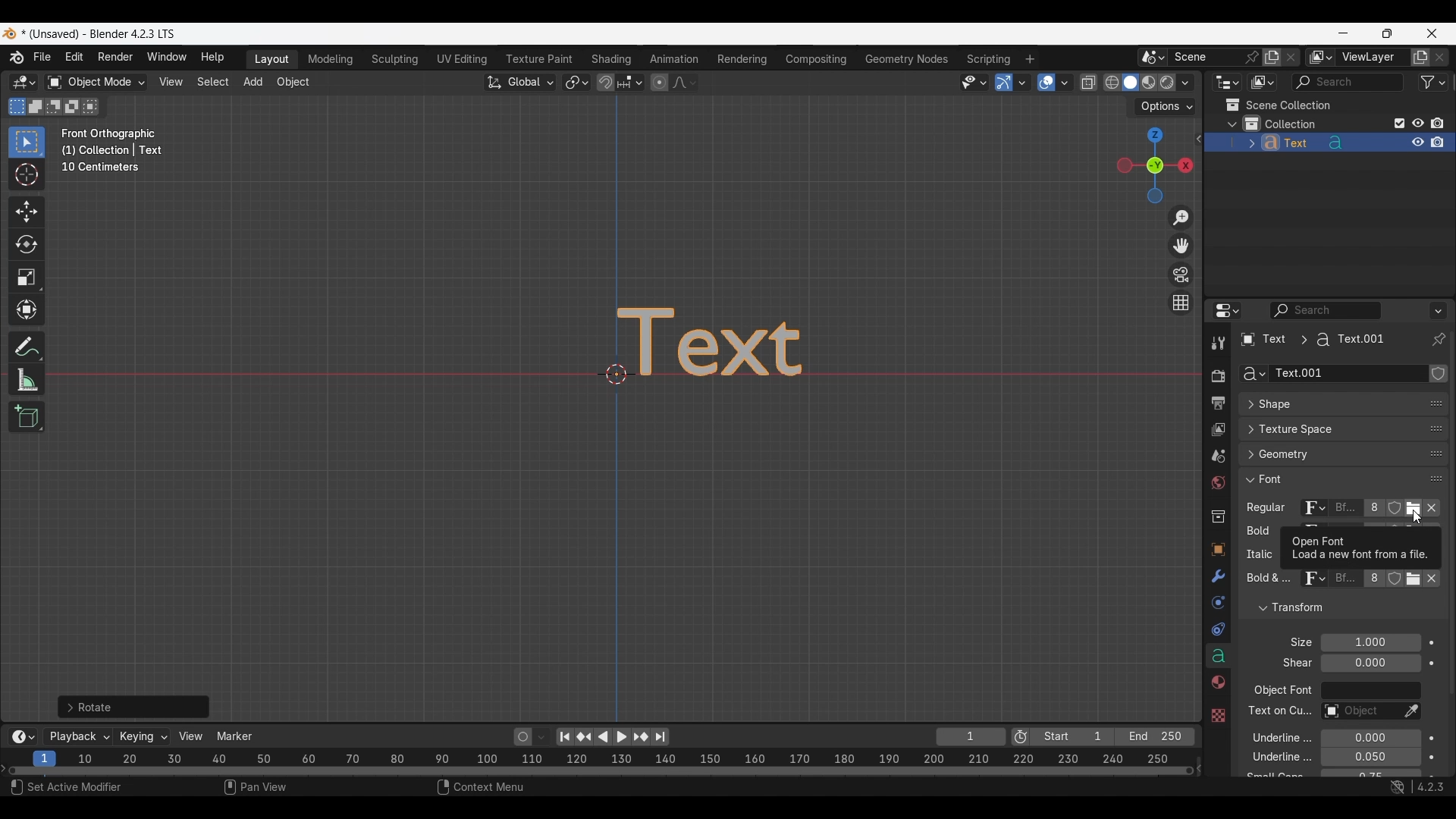 This screenshot has width=1456, height=819. What do you see at coordinates (1165, 107) in the screenshot?
I see `Transform options` at bounding box center [1165, 107].